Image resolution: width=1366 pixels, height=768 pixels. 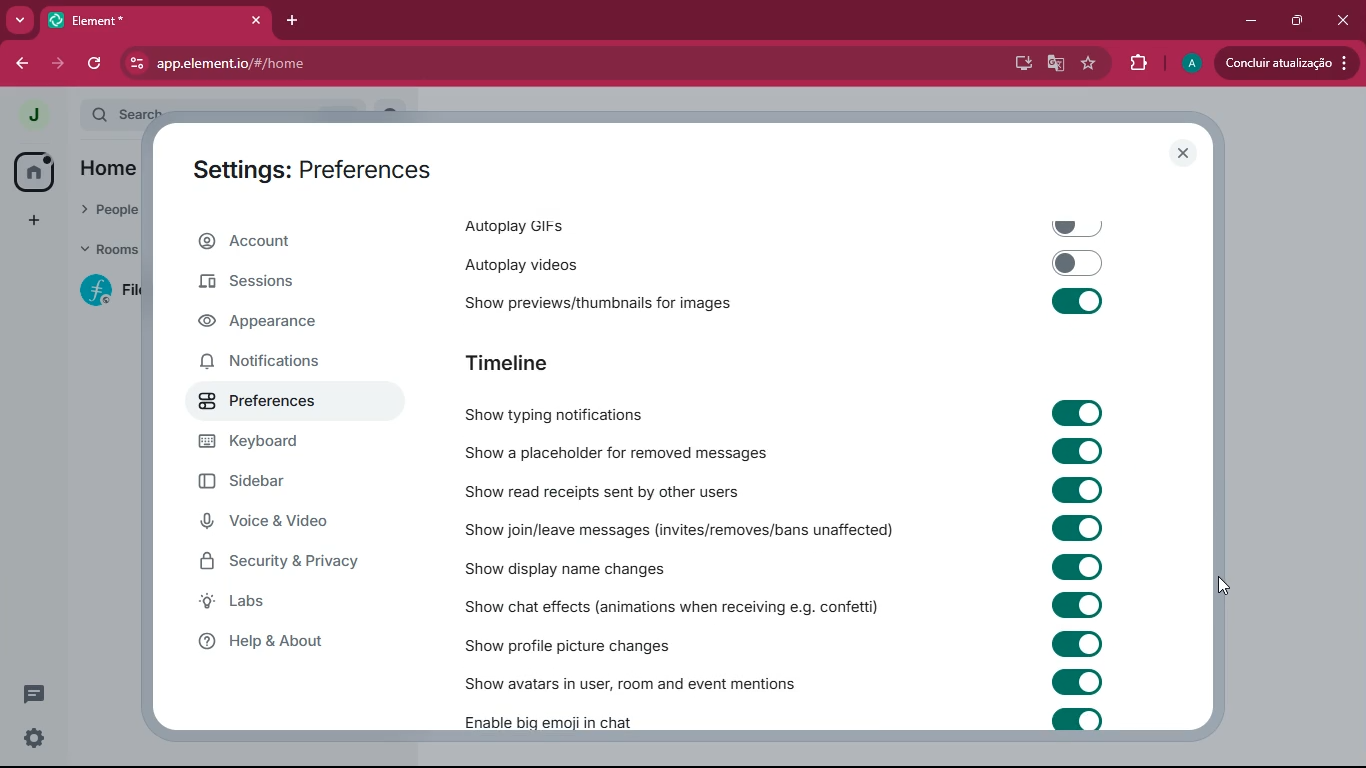 I want to click on autoplay videos, so click(x=776, y=266).